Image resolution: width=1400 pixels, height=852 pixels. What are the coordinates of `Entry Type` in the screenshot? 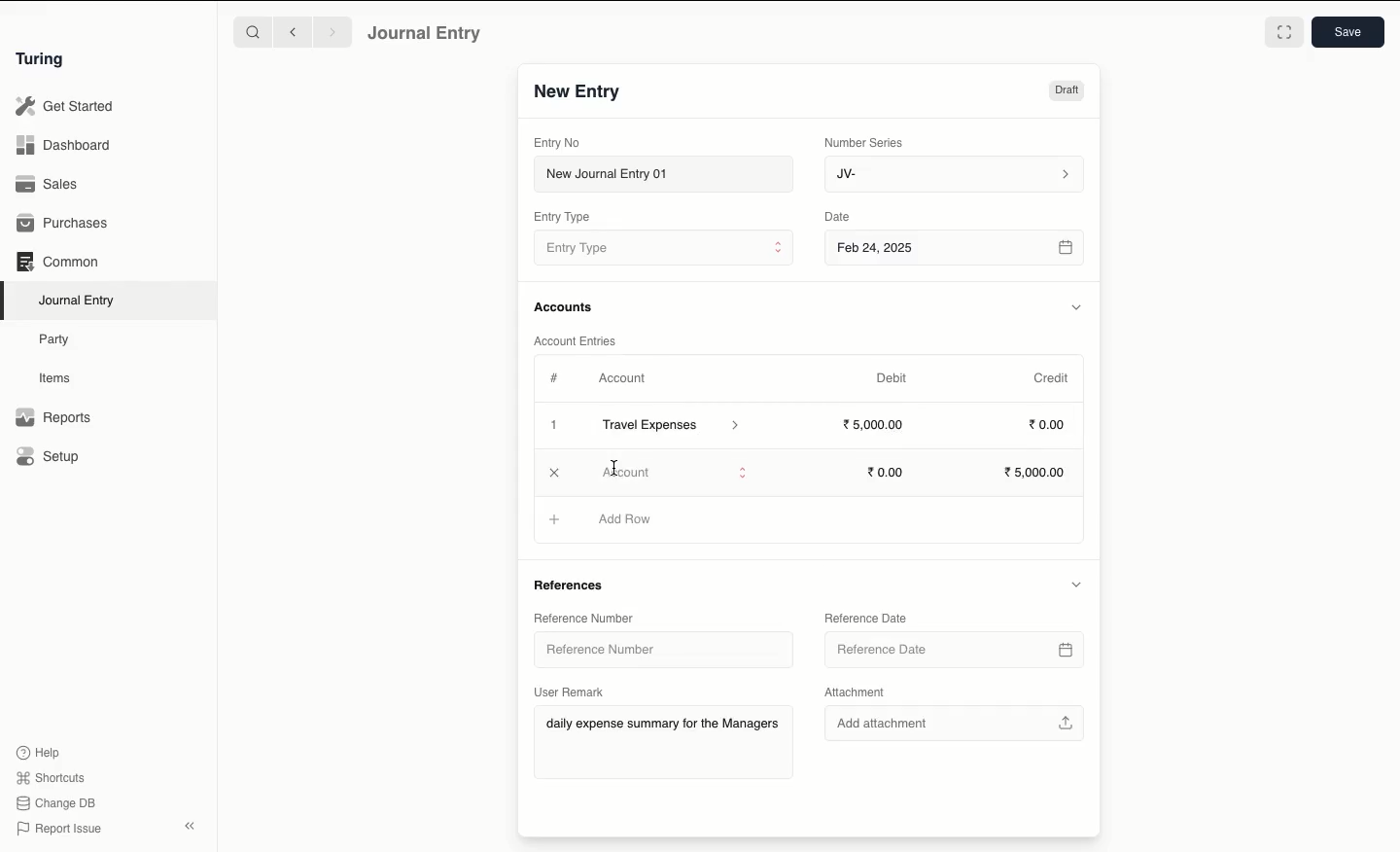 It's located at (663, 247).